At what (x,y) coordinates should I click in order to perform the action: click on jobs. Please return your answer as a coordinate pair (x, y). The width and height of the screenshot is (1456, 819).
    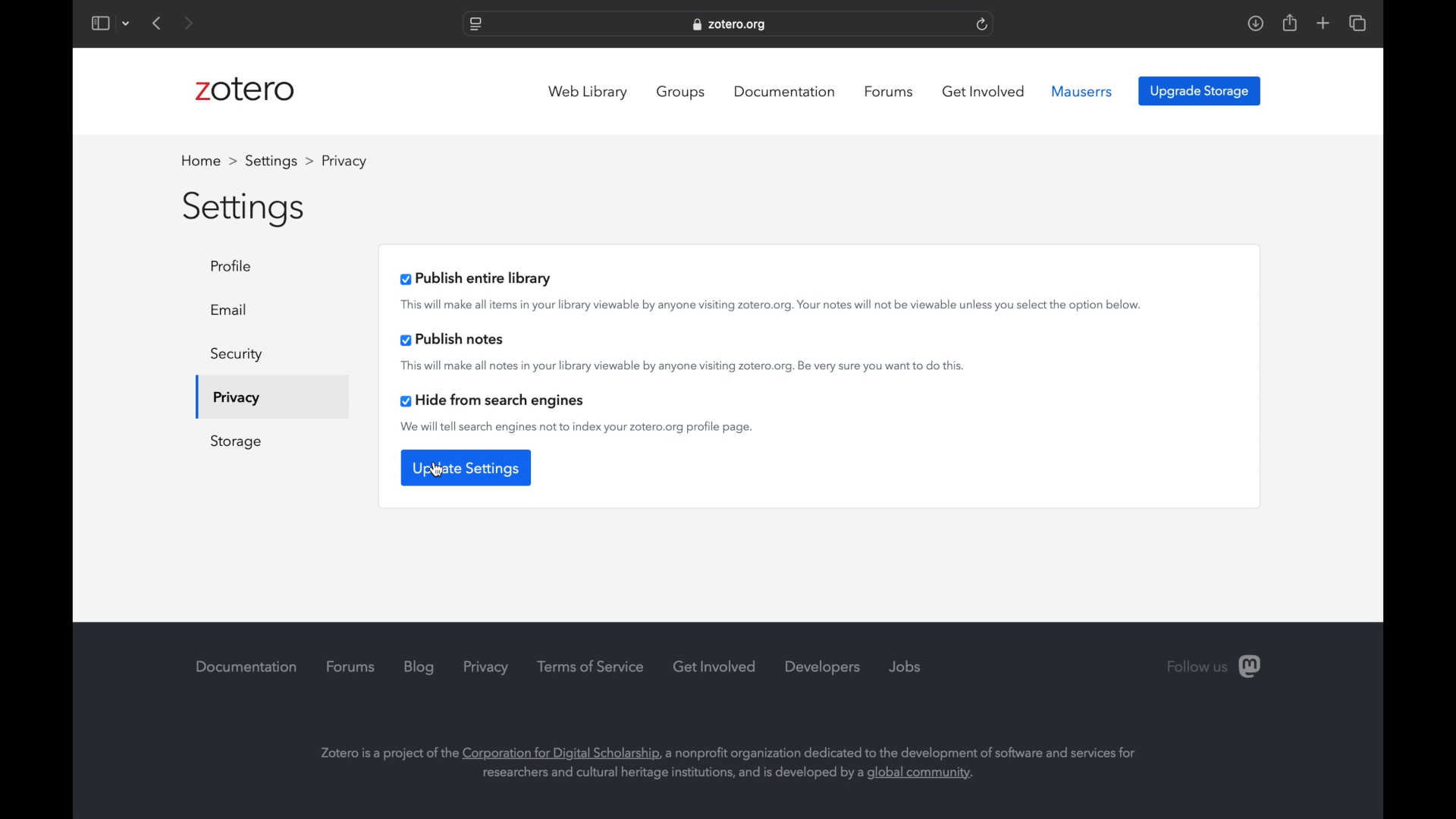
    Looking at the image, I should click on (905, 667).